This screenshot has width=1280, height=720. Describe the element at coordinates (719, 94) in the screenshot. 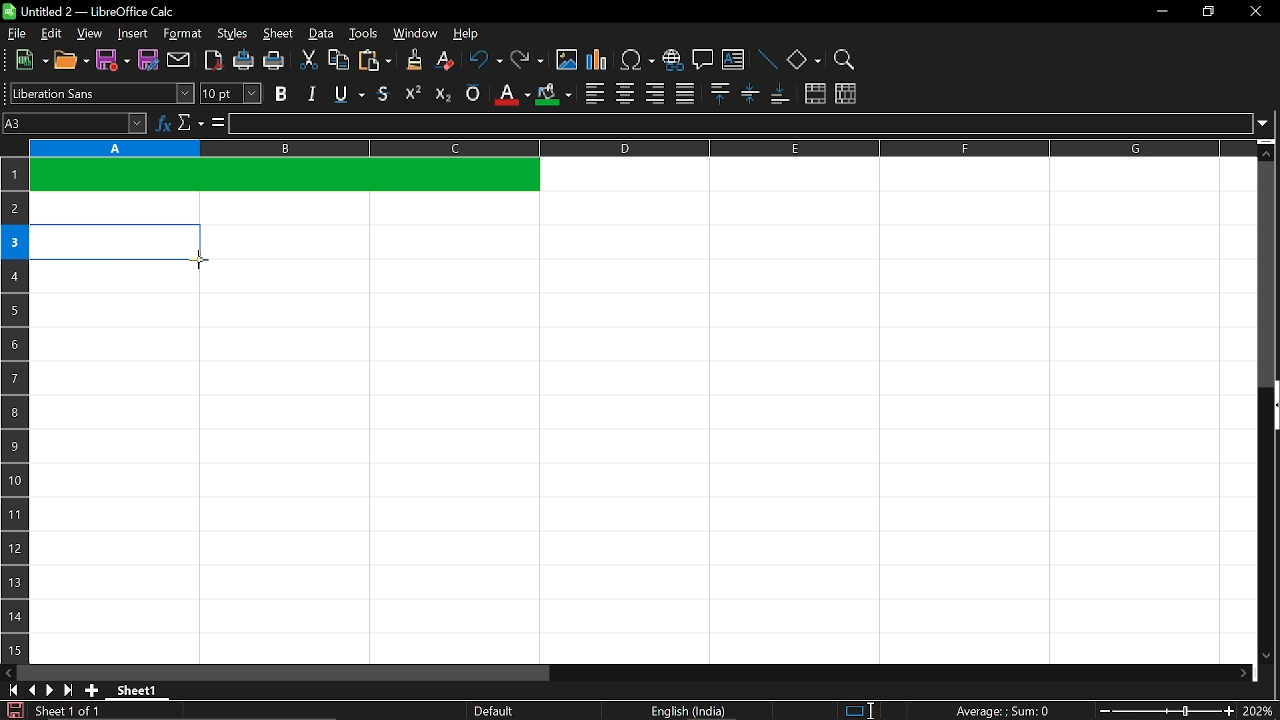

I see `align top` at that location.